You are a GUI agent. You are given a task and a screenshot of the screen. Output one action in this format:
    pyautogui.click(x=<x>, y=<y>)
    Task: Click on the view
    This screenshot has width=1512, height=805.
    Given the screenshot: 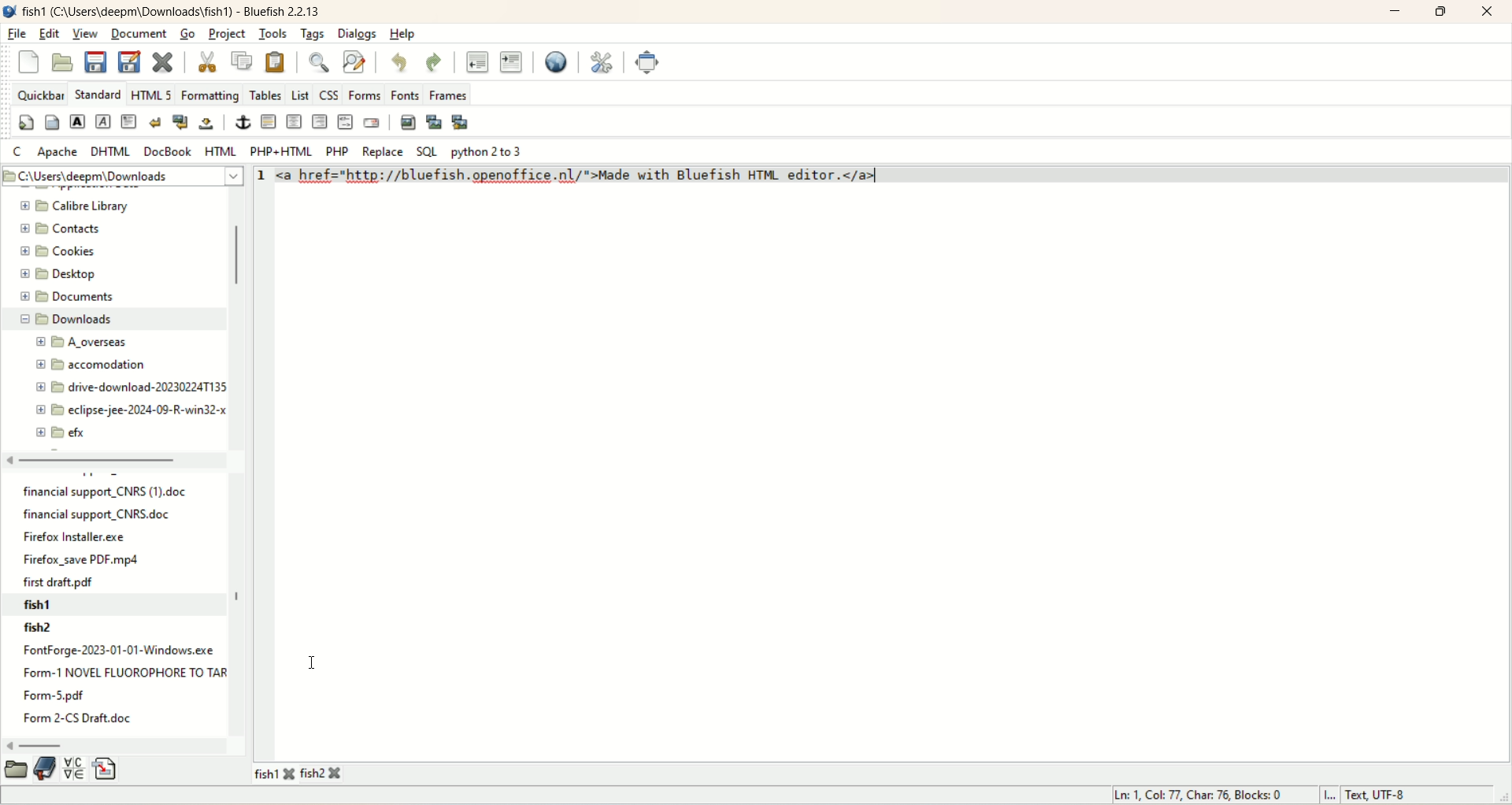 What is the action you would take?
    pyautogui.click(x=86, y=33)
    